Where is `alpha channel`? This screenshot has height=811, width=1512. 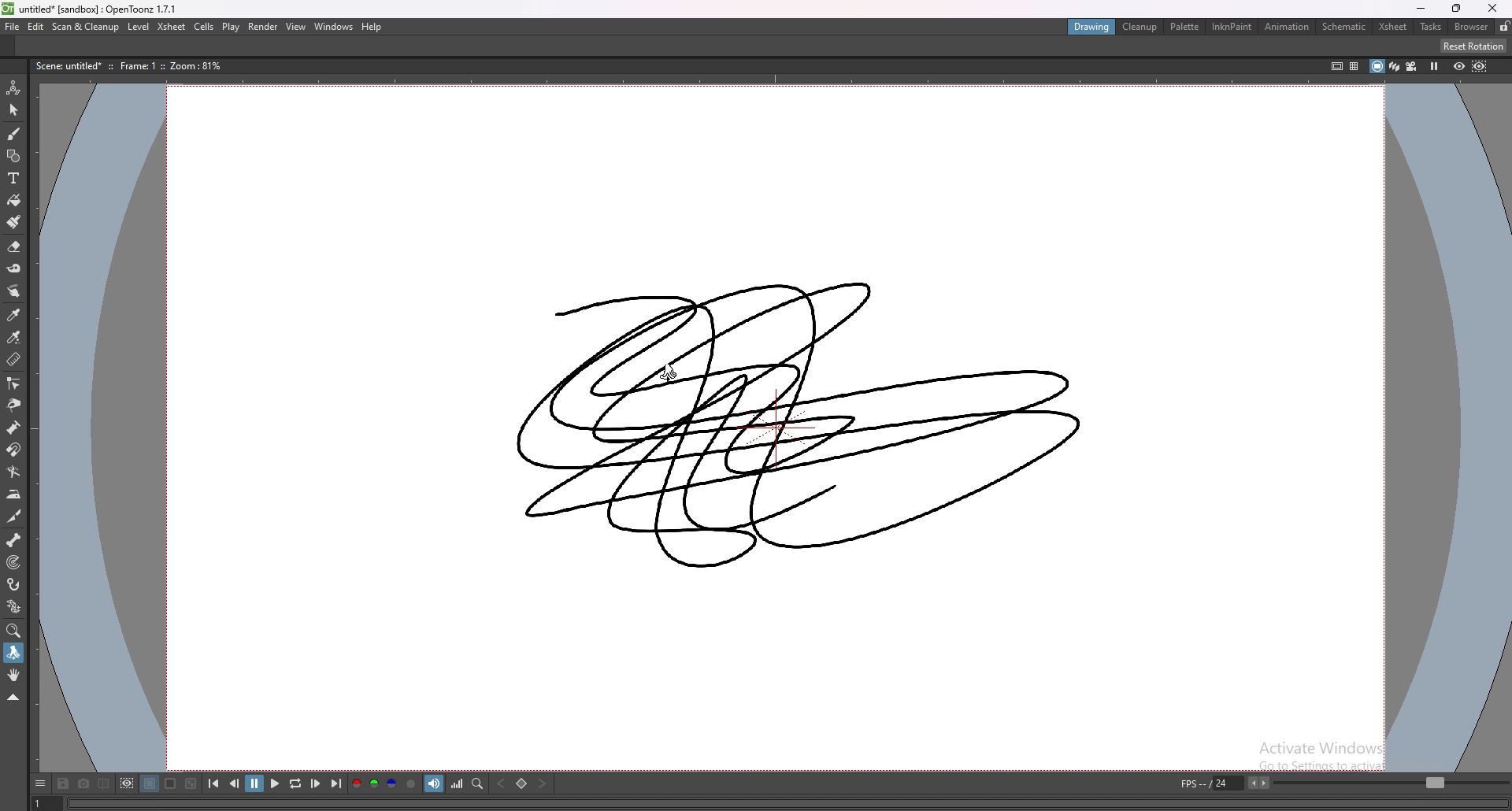 alpha channel is located at coordinates (411, 784).